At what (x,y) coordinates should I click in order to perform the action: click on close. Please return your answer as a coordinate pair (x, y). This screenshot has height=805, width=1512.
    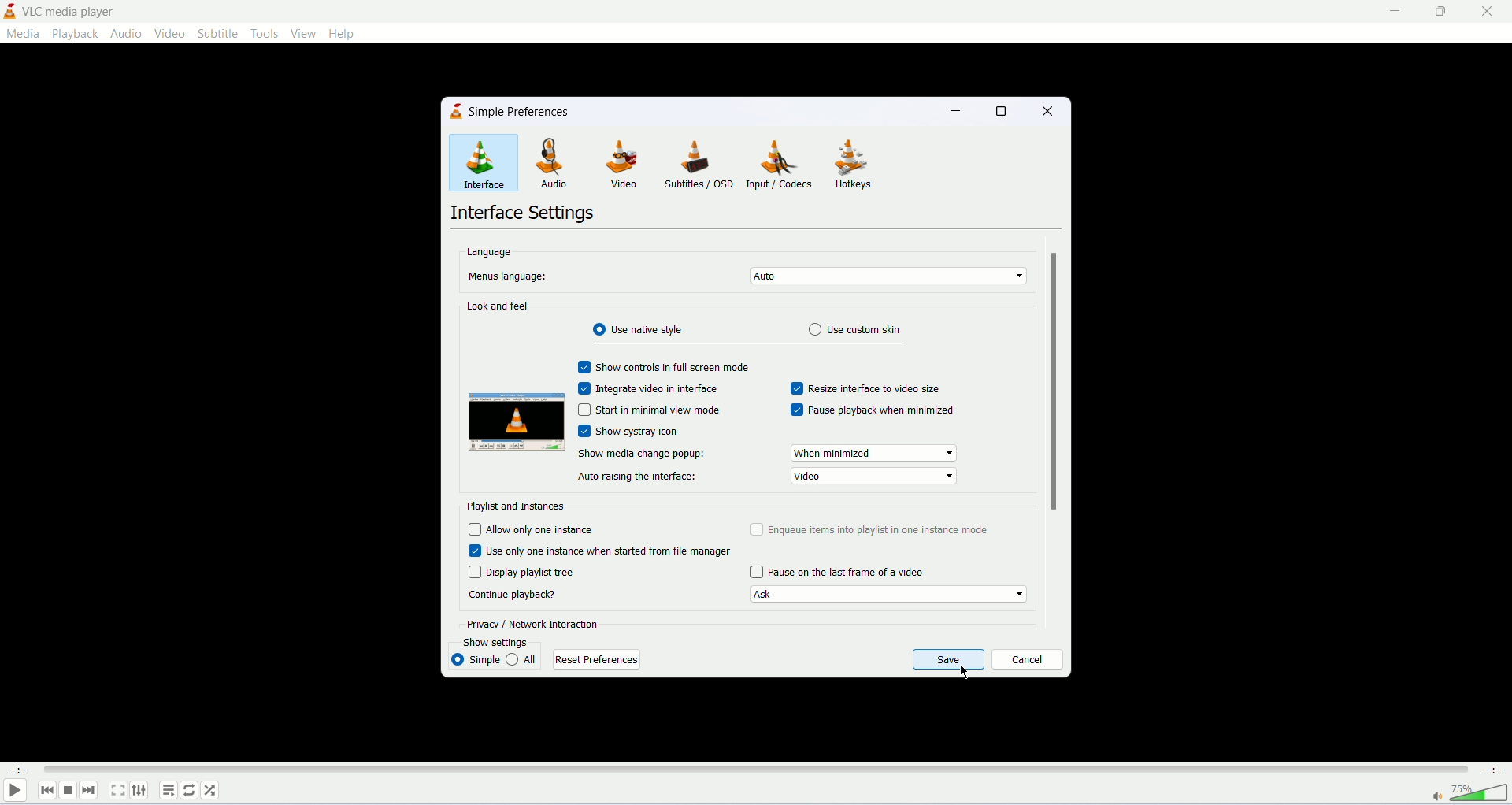
    Looking at the image, I should click on (1050, 112).